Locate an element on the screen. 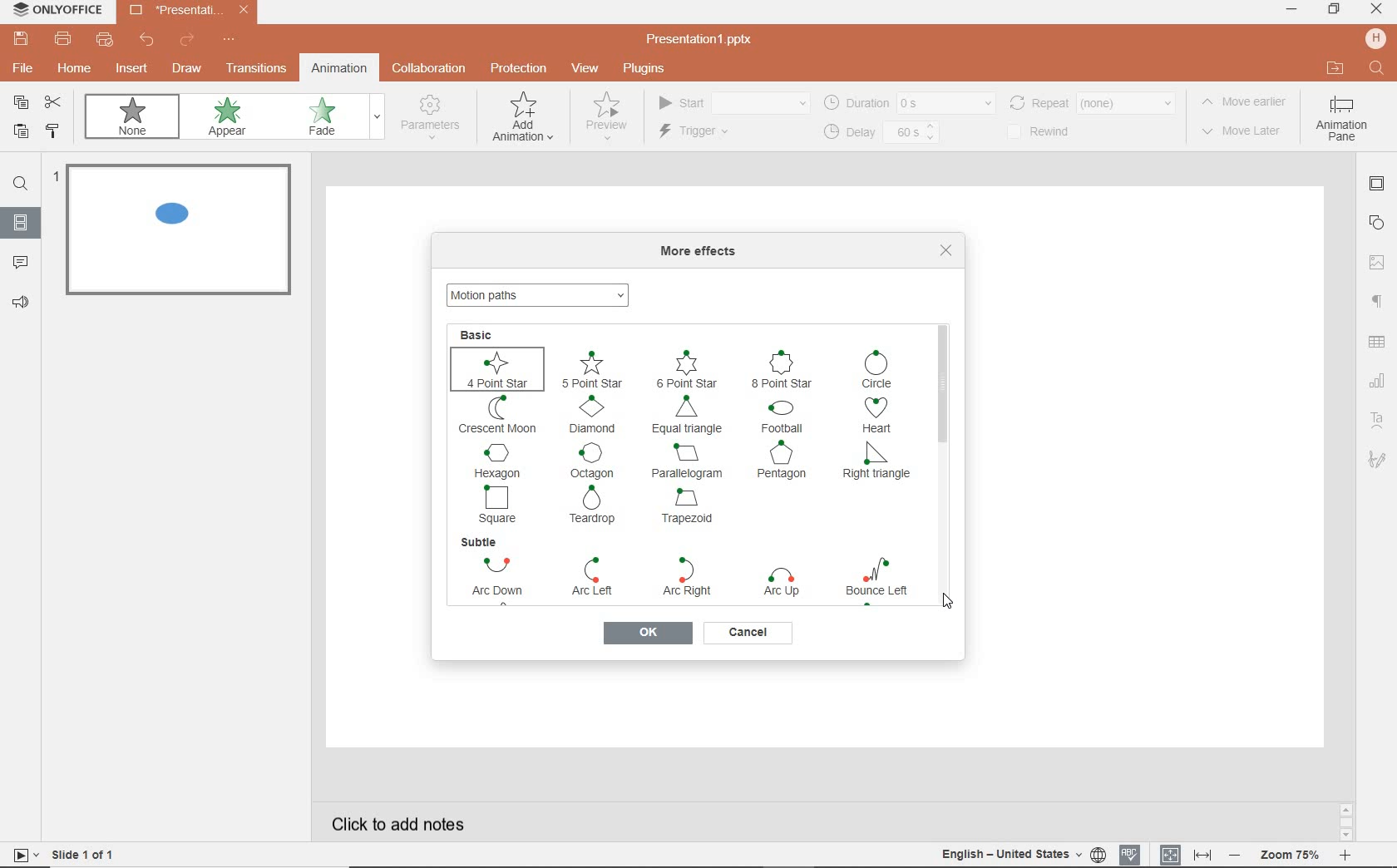 Image resolution: width=1397 pixels, height=868 pixels. SUBTLE is located at coordinates (481, 542).